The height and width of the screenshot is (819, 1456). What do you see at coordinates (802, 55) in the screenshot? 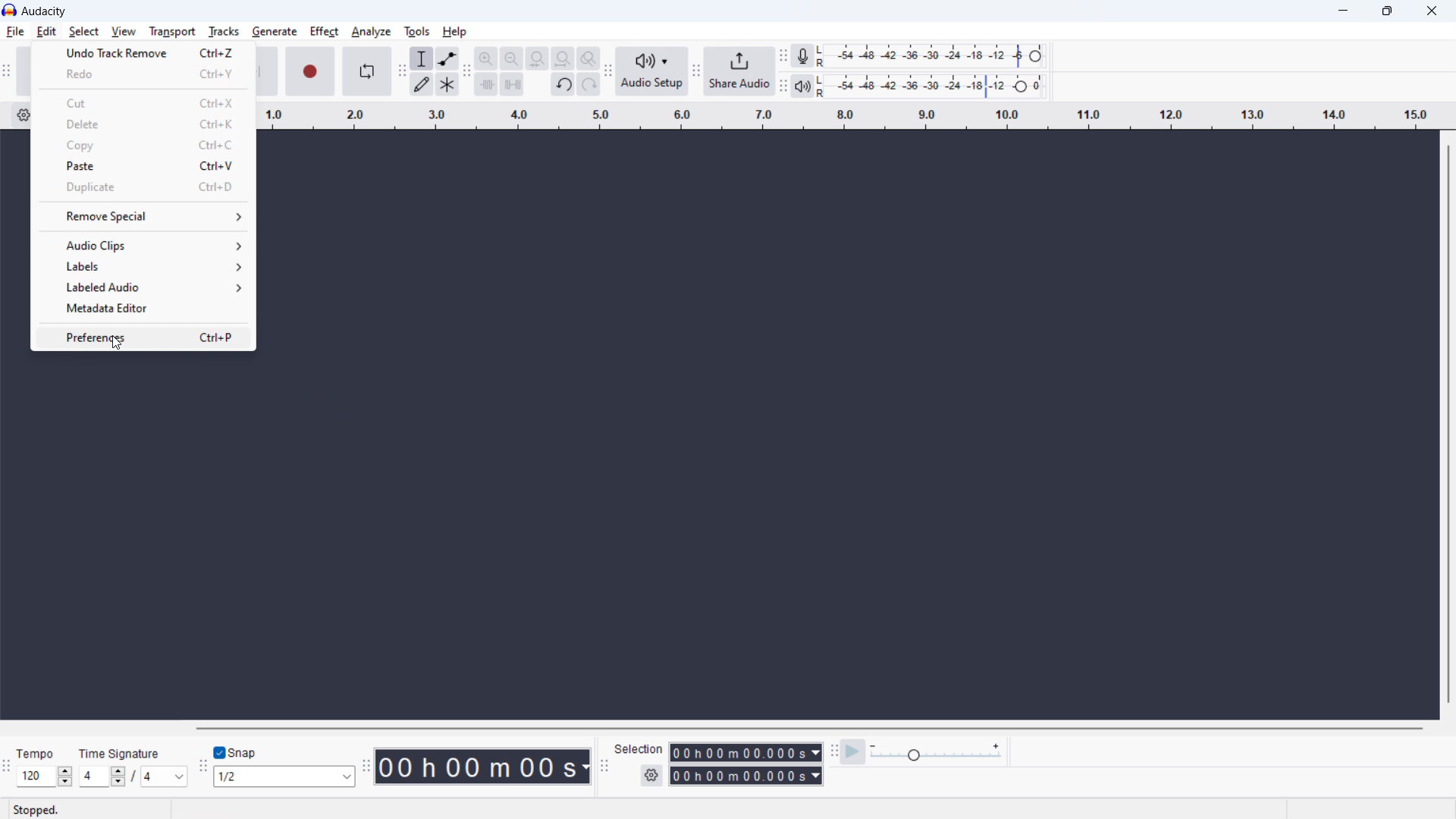
I see `recording meter` at bounding box center [802, 55].